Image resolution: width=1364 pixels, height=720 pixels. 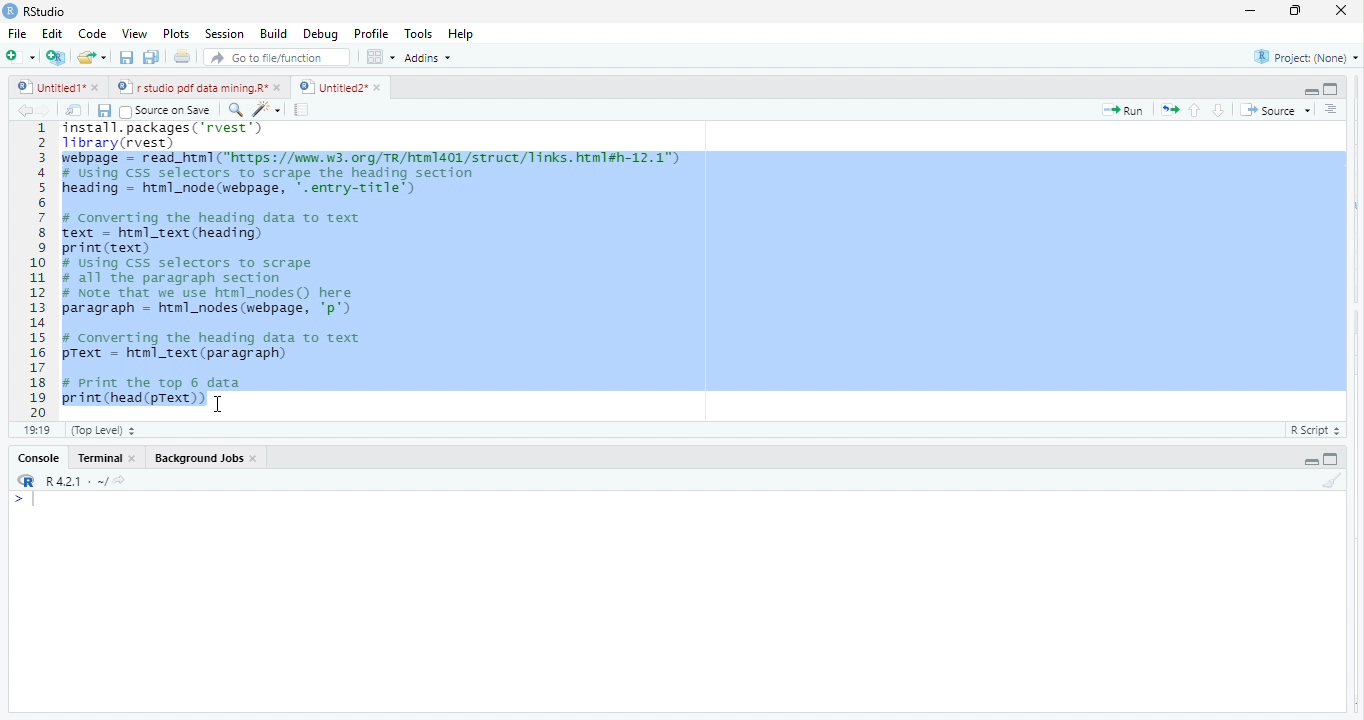 I want to click on print the current file, so click(x=179, y=58).